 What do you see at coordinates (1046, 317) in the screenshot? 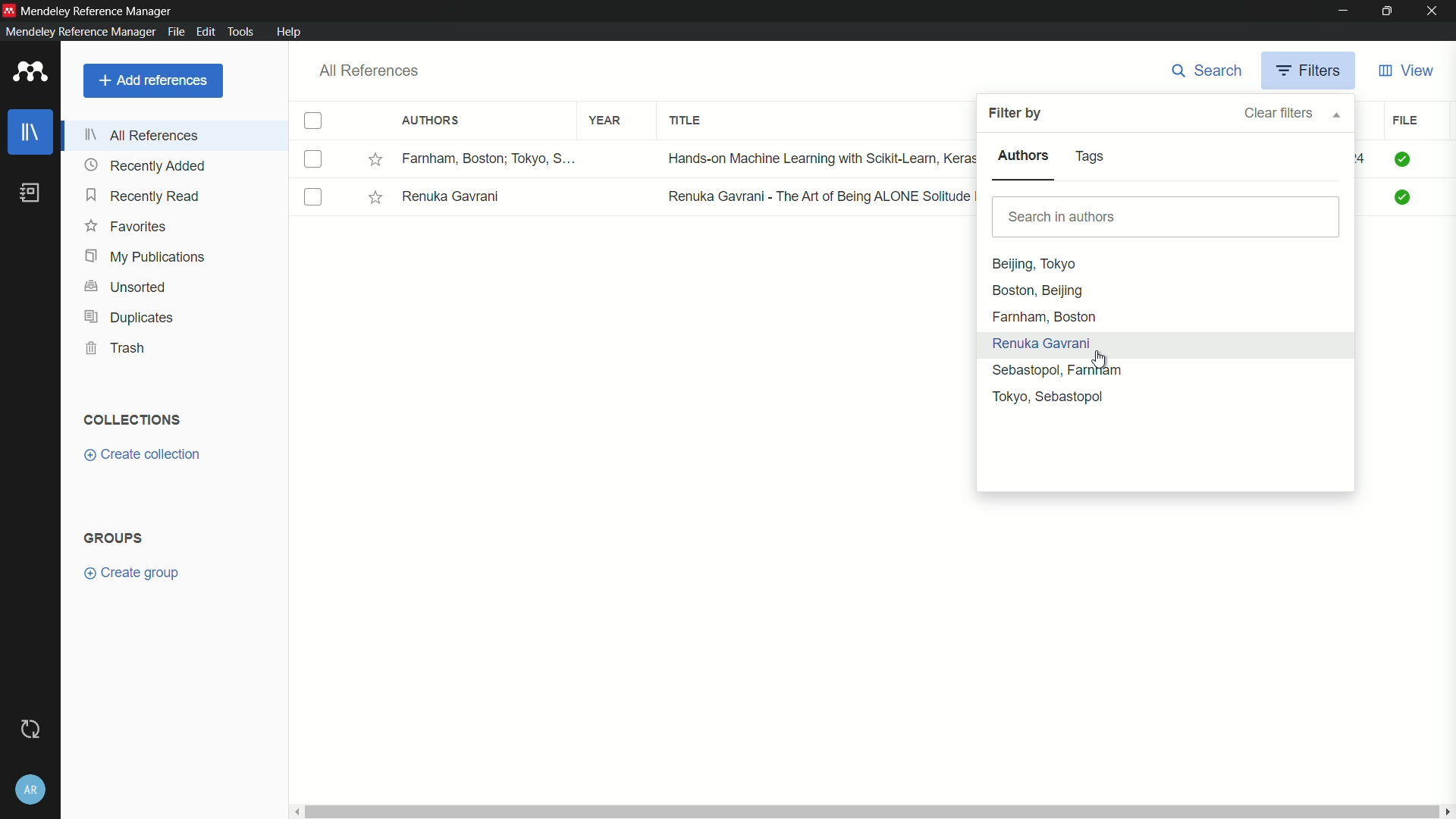
I see `Farnham, Boston` at bounding box center [1046, 317].